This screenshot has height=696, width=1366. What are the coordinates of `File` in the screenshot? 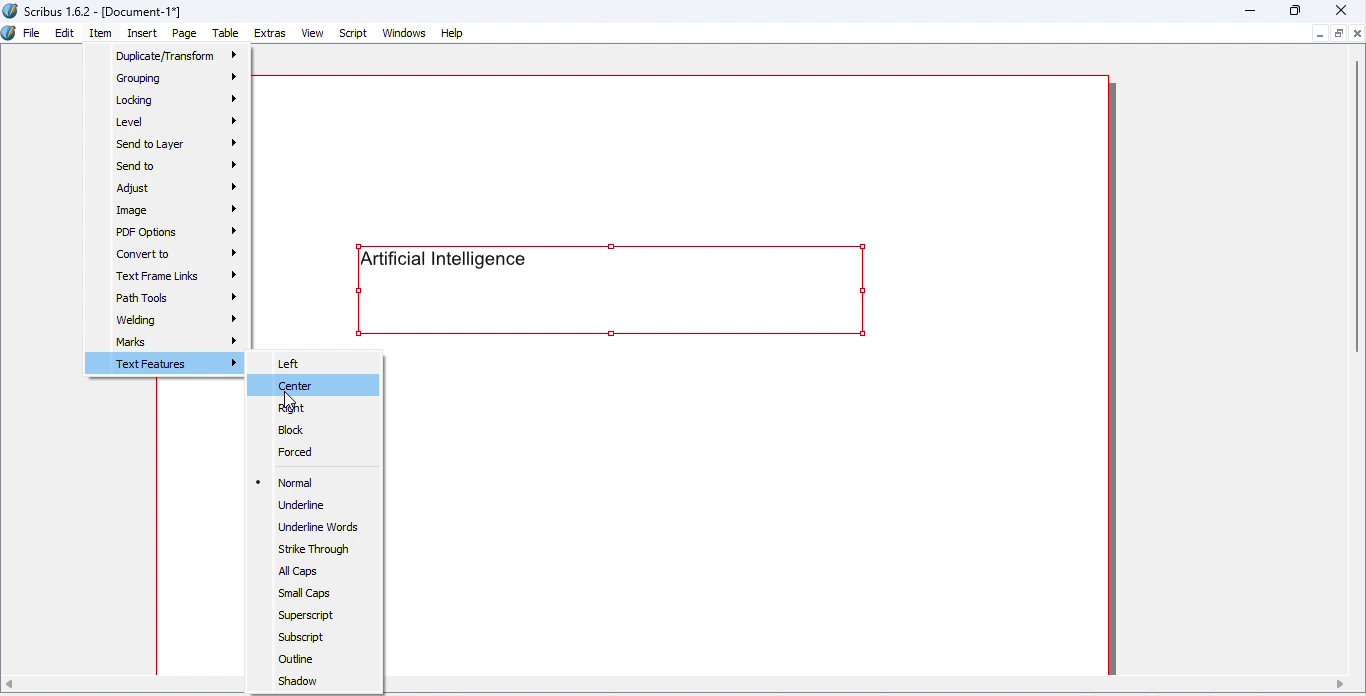 It's located at (31, 34).